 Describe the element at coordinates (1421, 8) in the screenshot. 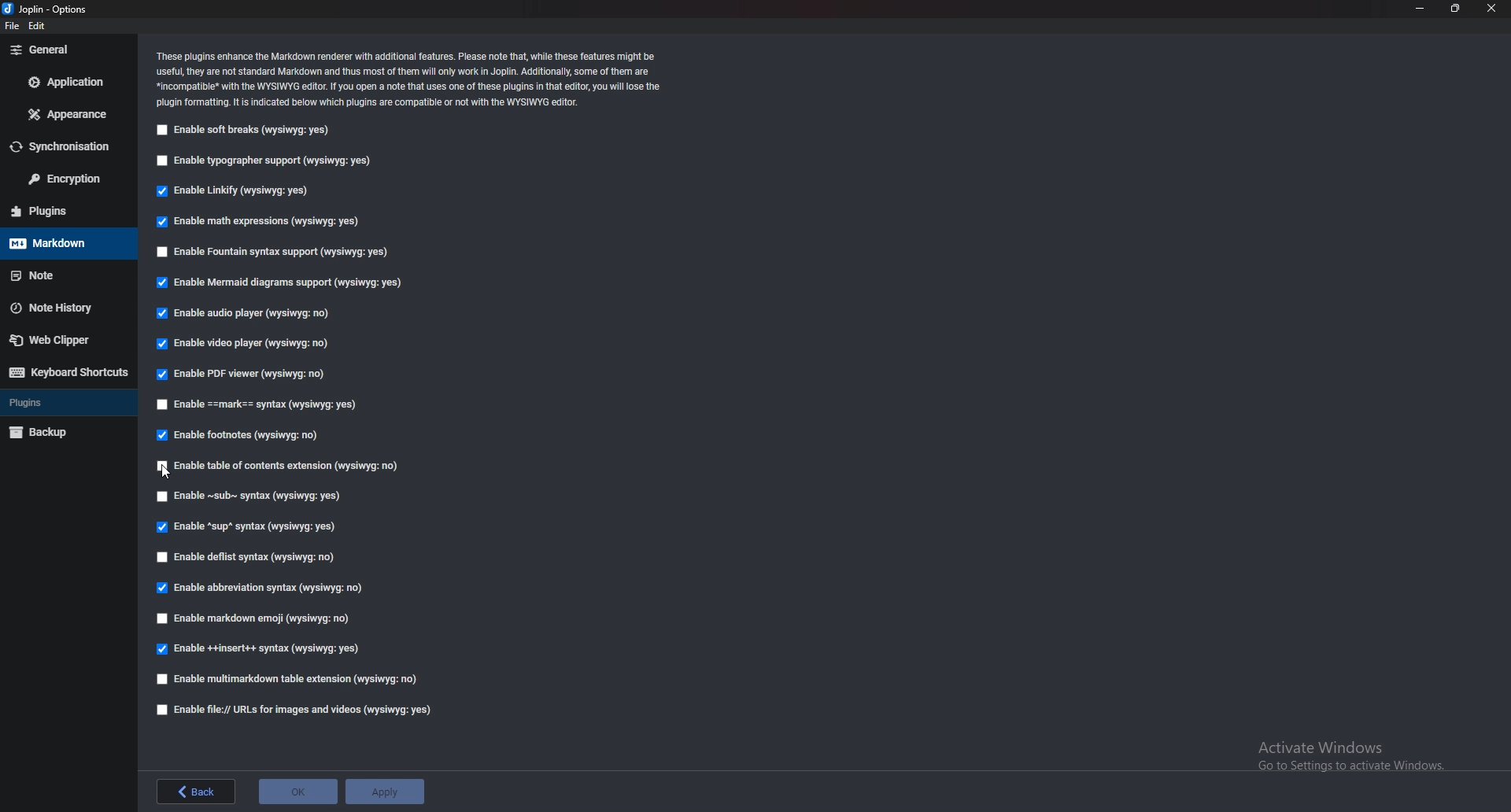

I see `minimize` at that location.